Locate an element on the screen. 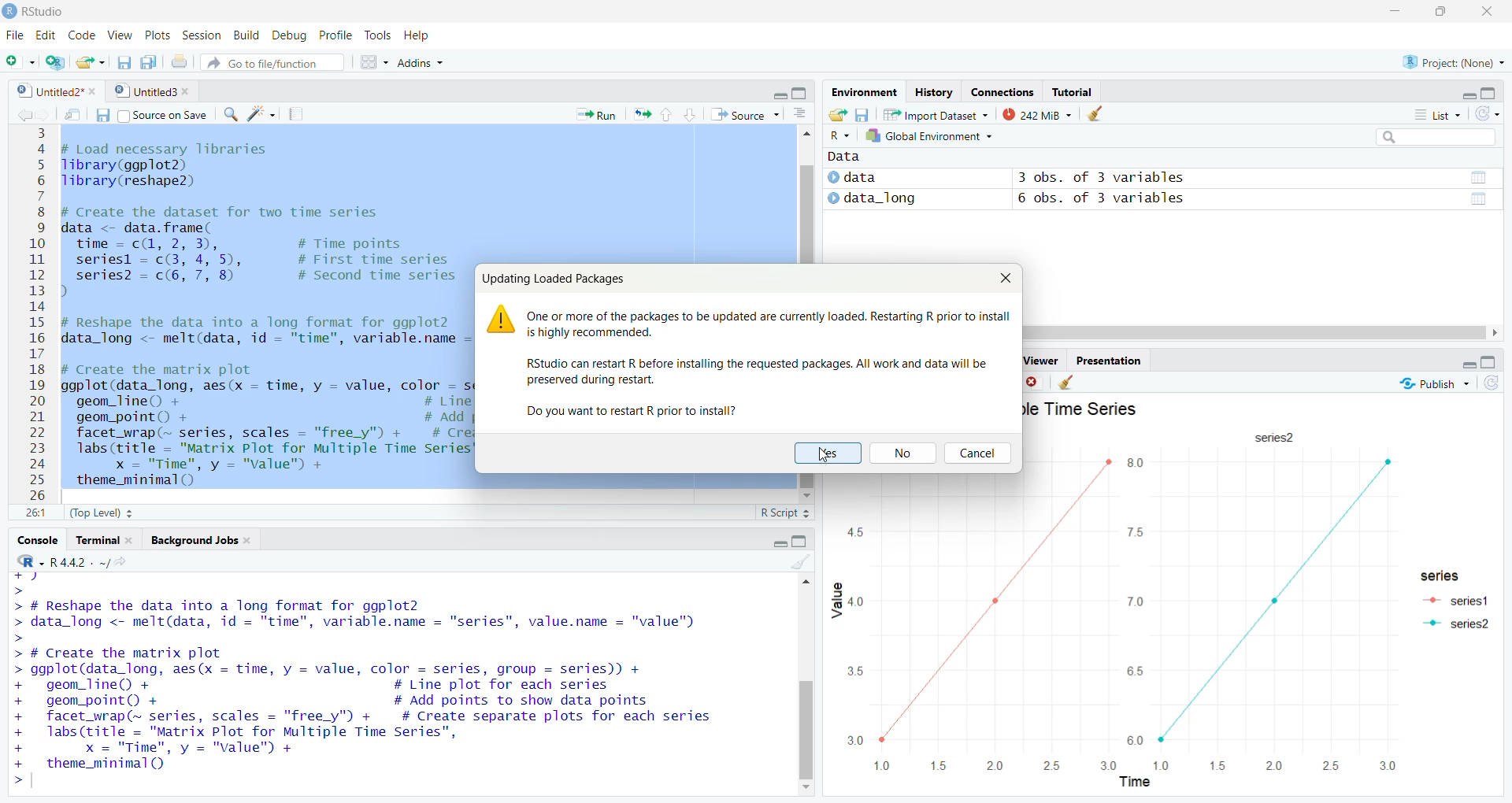  maximize is located at coordinates (801, 93).